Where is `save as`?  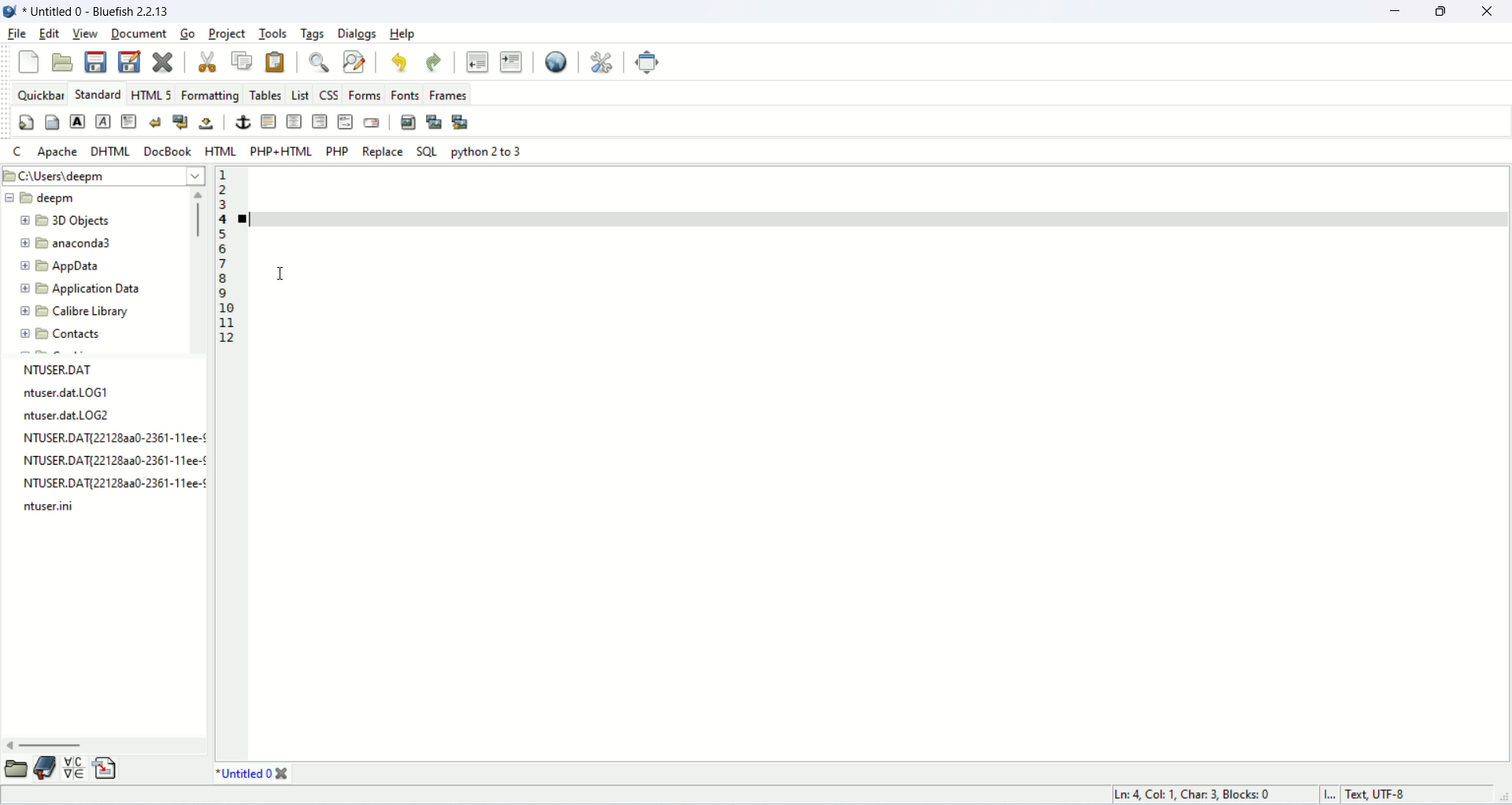
save as is located at coordinates (130, 62).